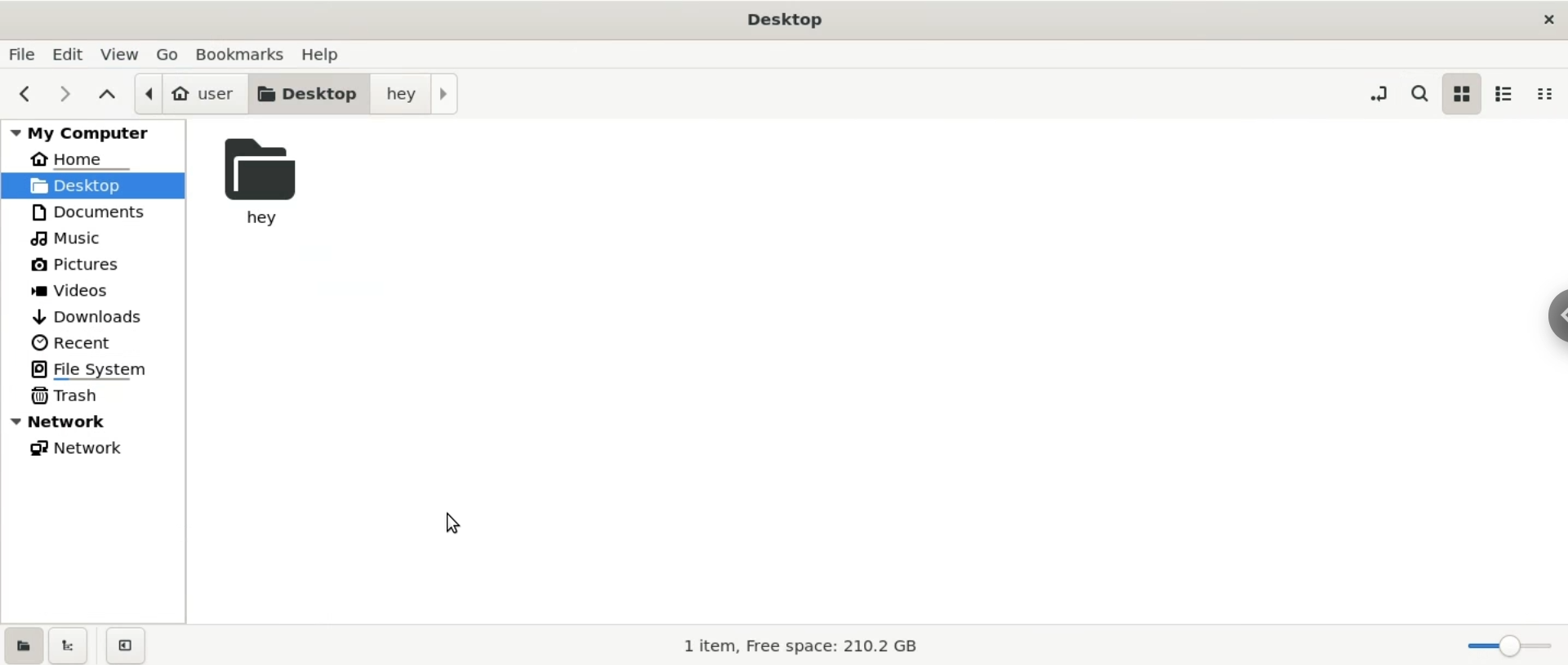 Image resolution: width=1568 pixels, height=665 pixels. What do you see at coordinates (100, 238) in the screenshot?
I see `music` at bounding box center [100, 238].